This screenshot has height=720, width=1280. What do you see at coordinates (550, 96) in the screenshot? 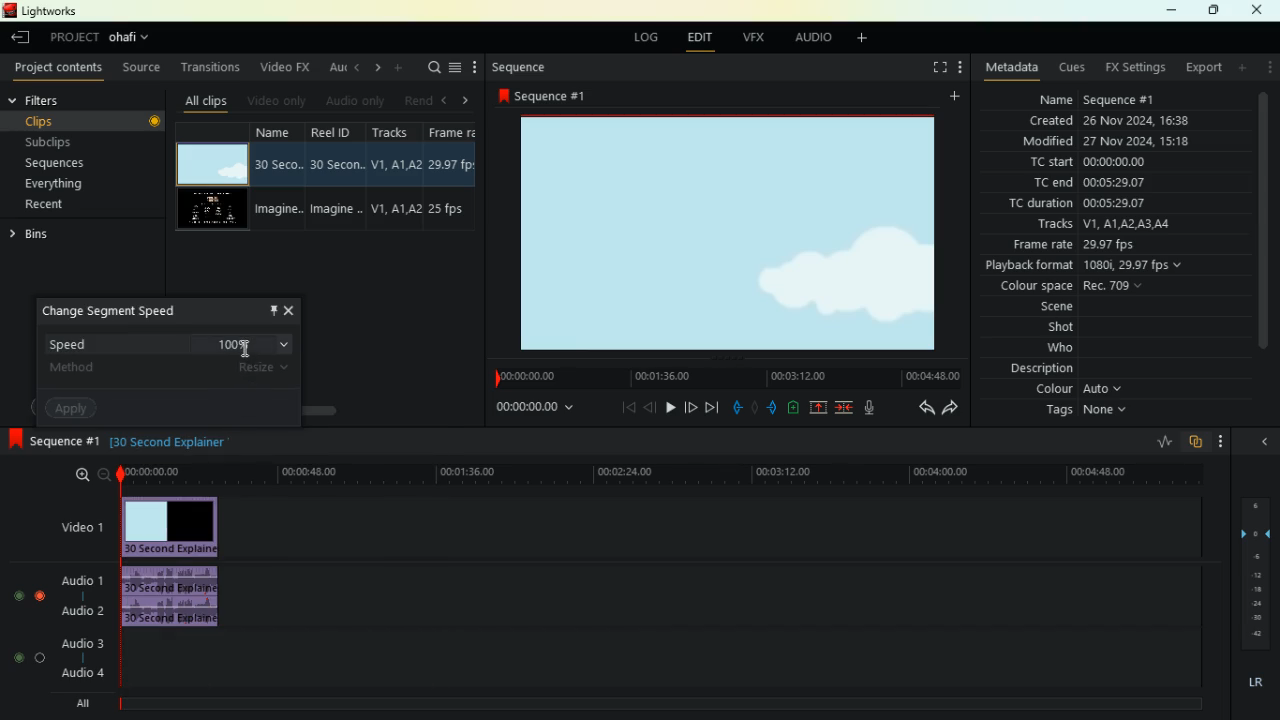
I see `sequence` at bounding box center [550, 96].